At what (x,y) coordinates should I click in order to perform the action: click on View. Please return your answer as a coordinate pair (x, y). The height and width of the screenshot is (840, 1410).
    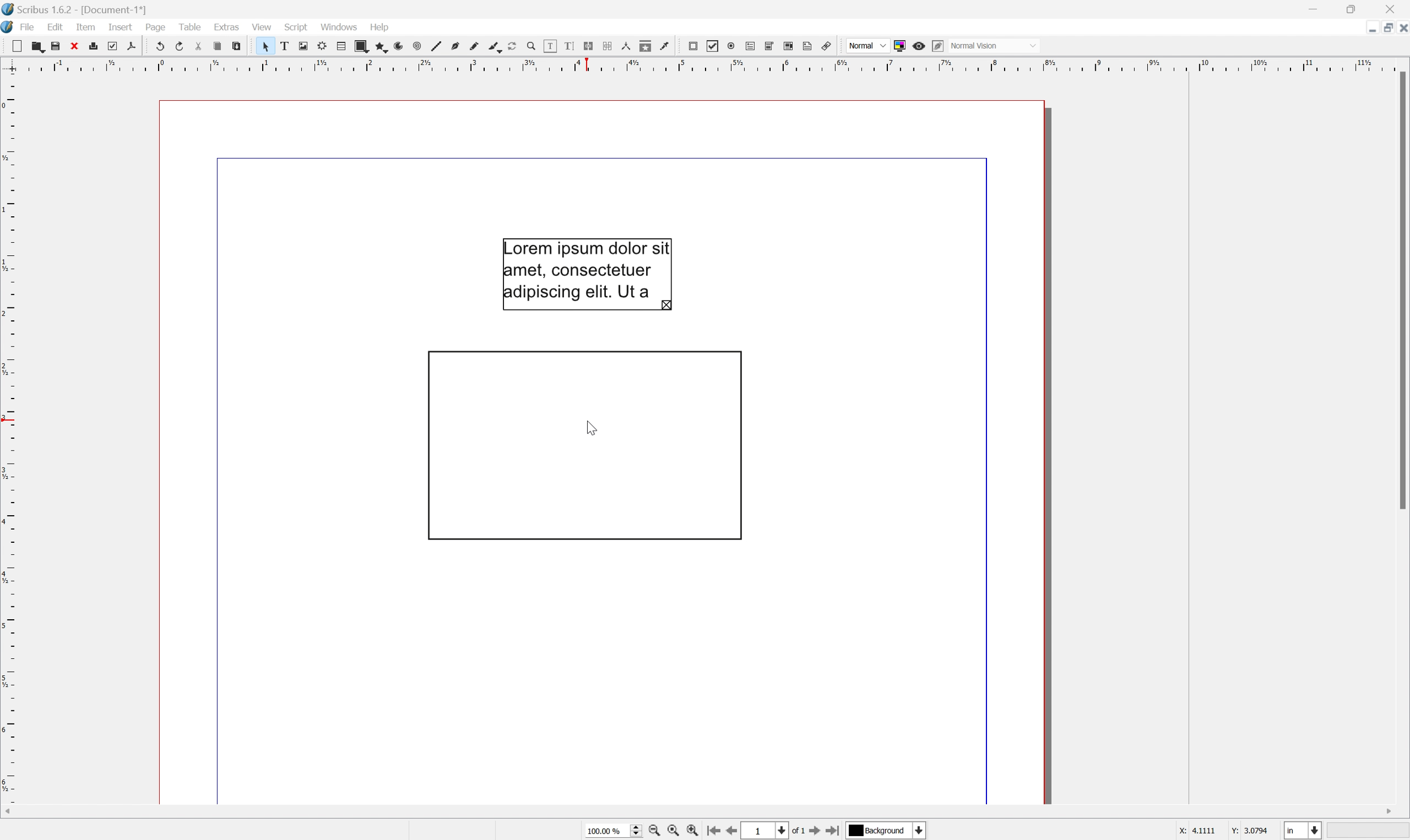
    Looking at the image, I should click on (263, 27).